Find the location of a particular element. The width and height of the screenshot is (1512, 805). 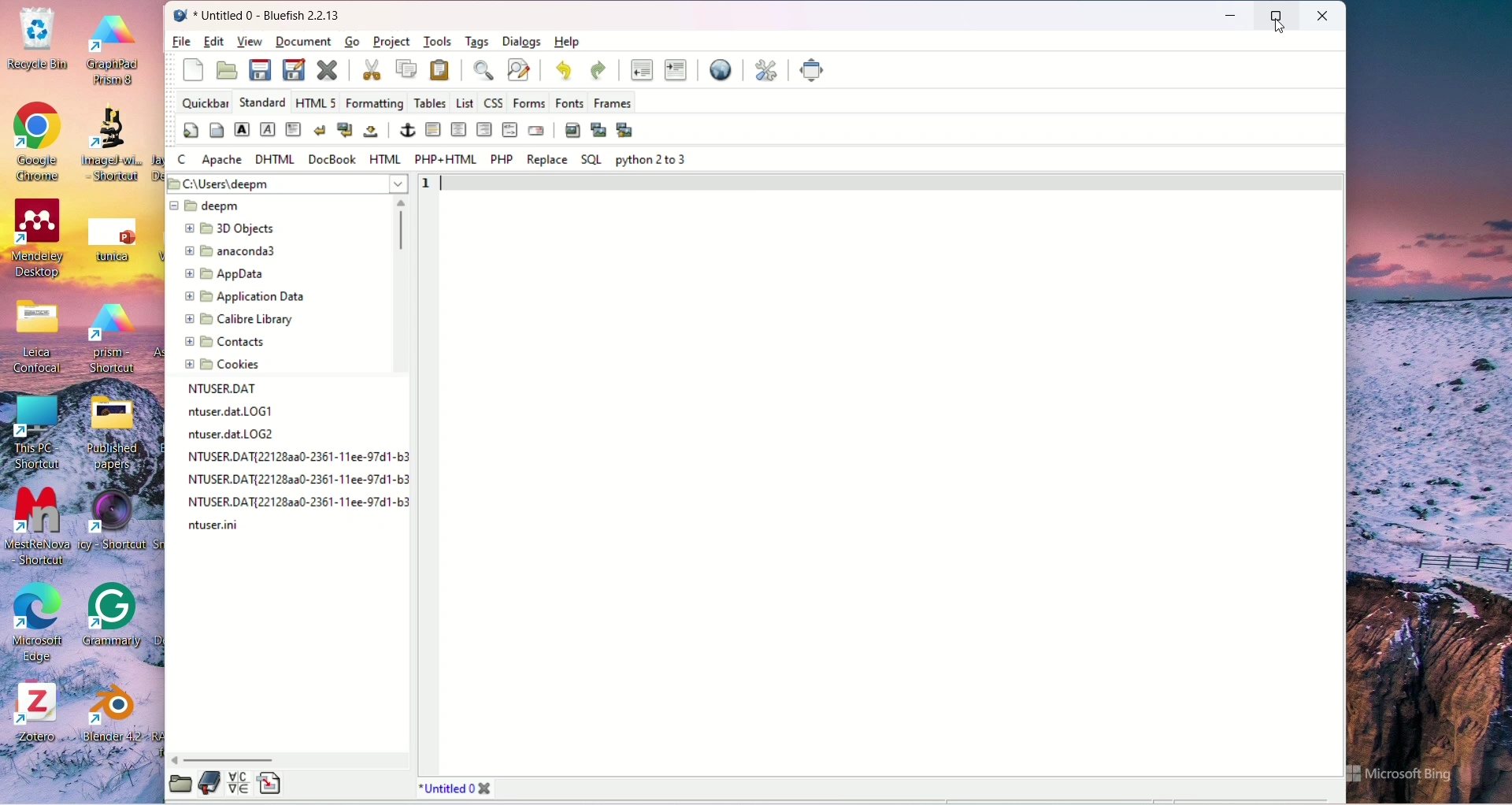

mestrenova shortcut is located at coordinates (41, 527).